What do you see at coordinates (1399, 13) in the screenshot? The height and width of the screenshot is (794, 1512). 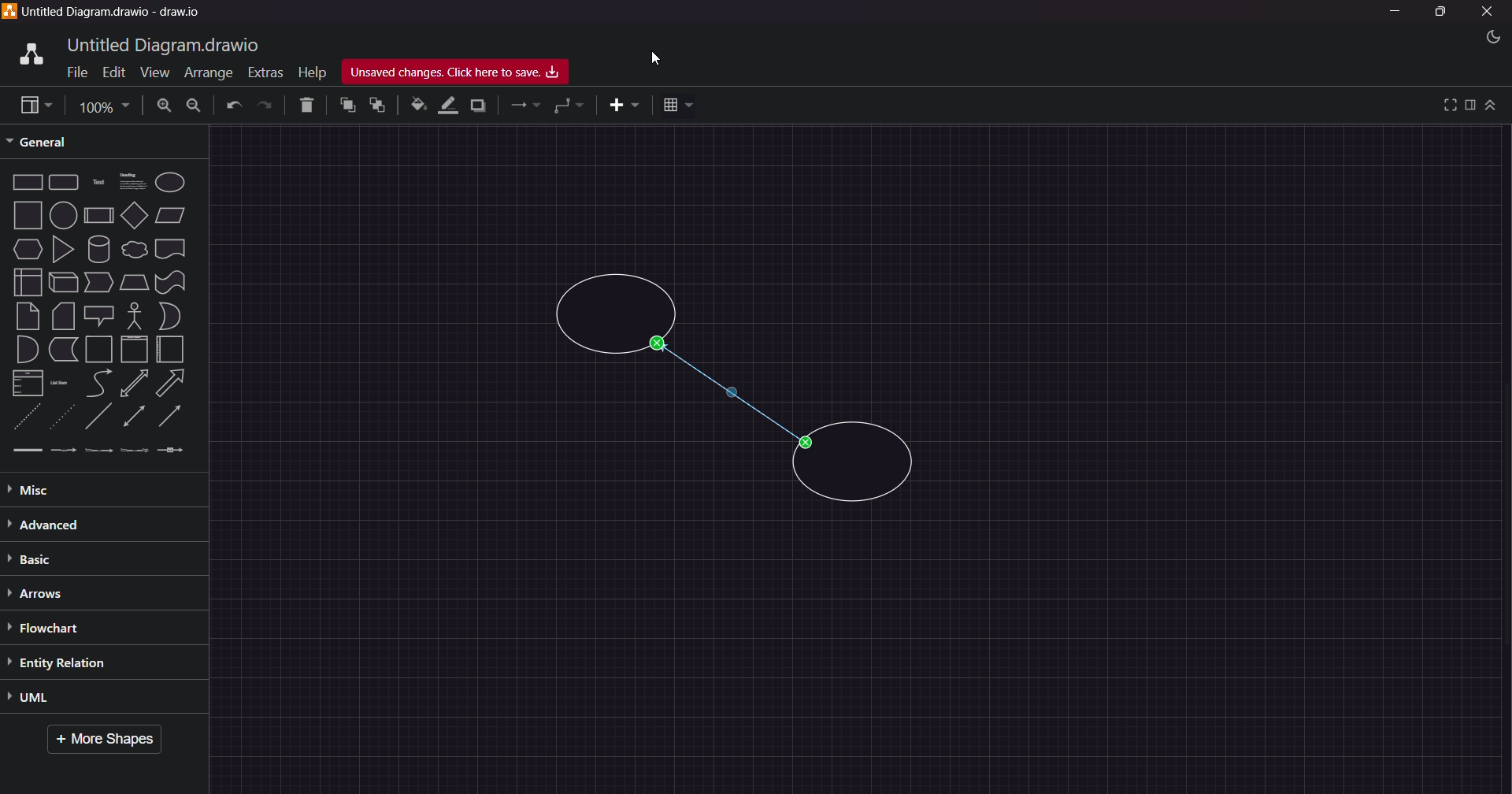 I see `Minimize` at bounding box center [1399, 13].